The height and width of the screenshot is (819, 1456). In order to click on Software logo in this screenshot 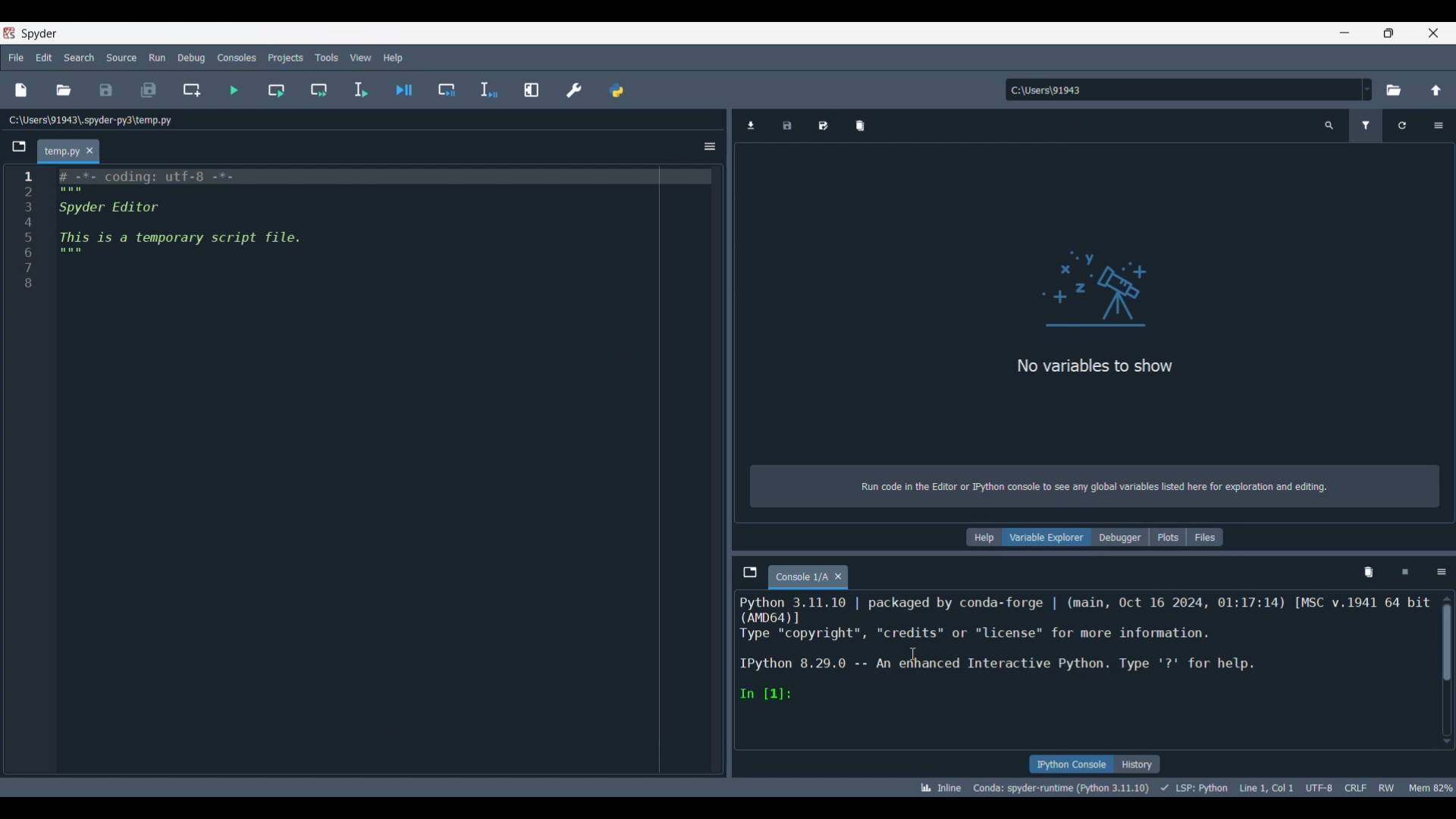, I will do `click(9, 33)`.